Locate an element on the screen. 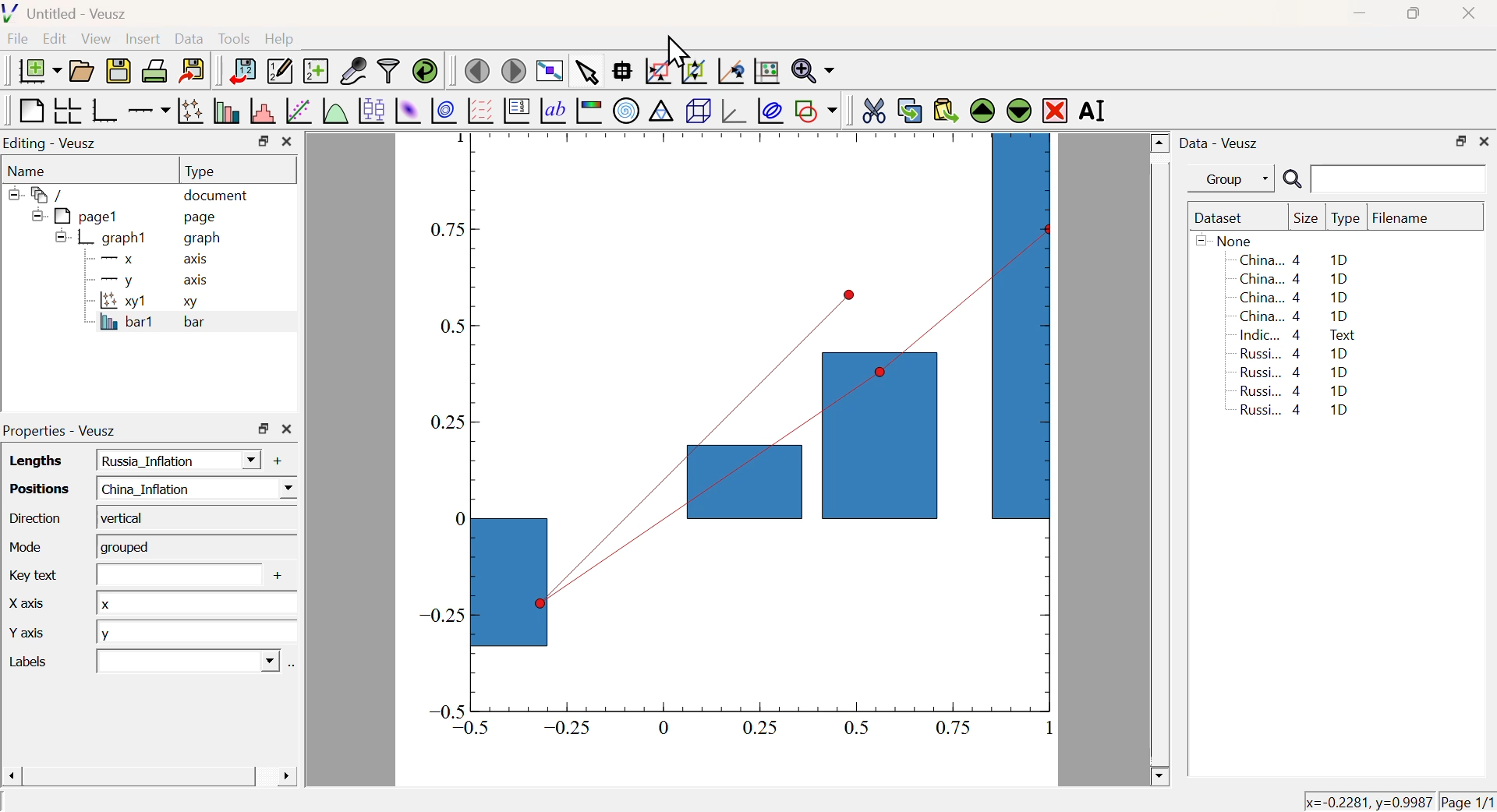 The width and height of the screenshot is (1497, 812). bar1 bar is located at coordinates (145, 324).